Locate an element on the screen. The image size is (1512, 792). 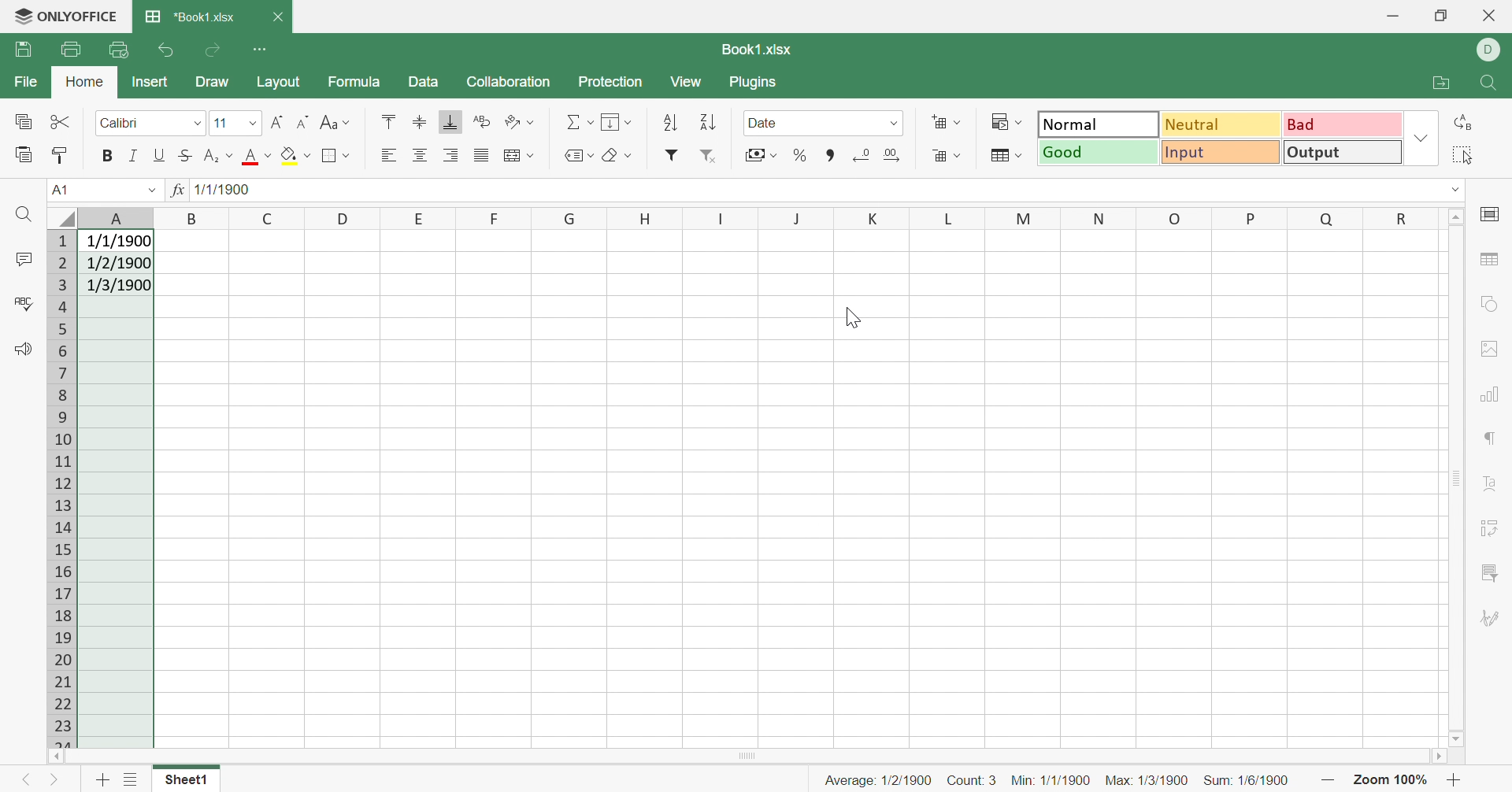
Find is located at coordinates (1488, 83).